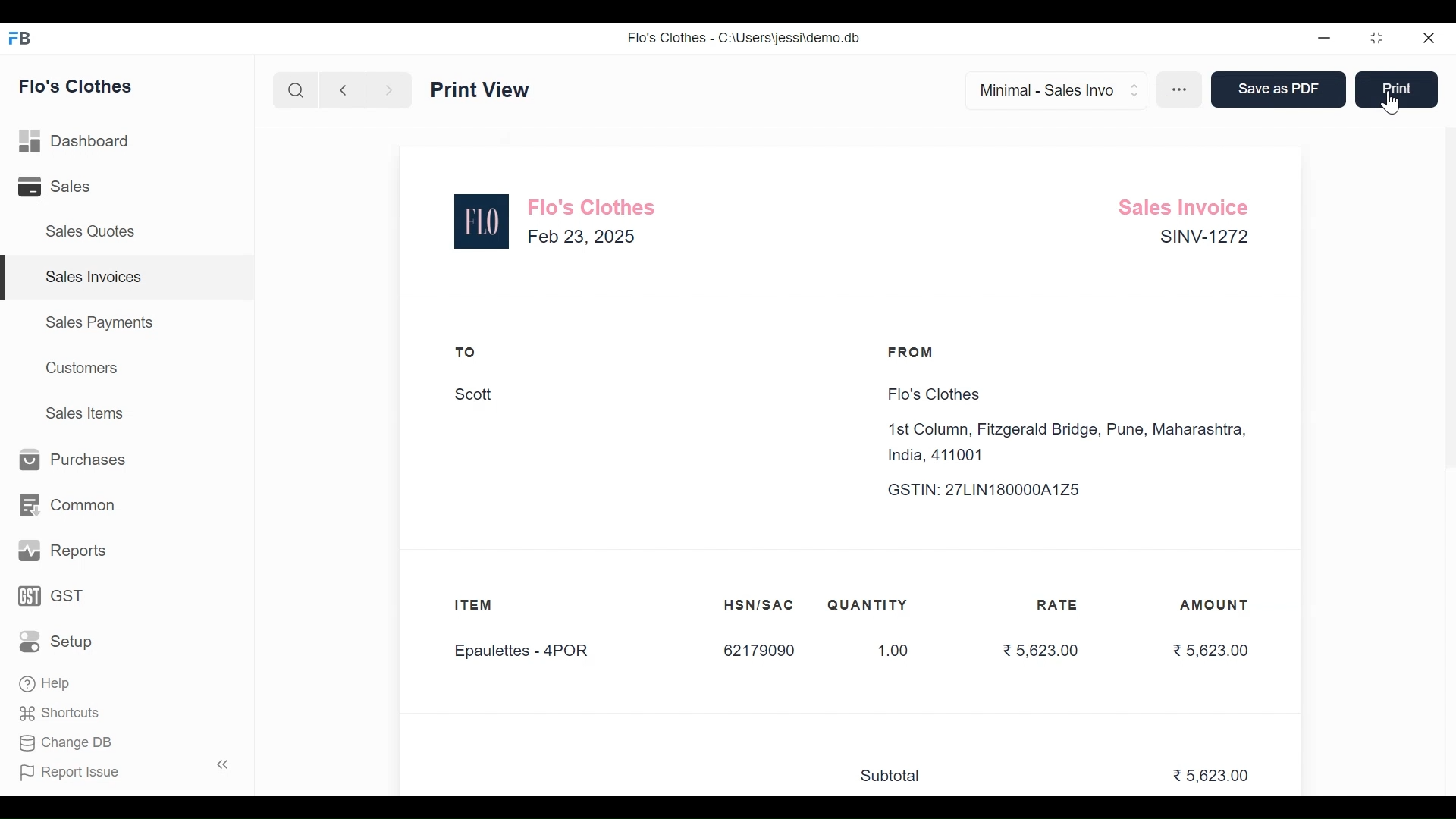 This screenshot has width=1456, height=819. Describe the element at coordinates (744, 36) in the screenshot. I see `Flo's Clothes - C:\Users\jessi\demo.db` at that location.